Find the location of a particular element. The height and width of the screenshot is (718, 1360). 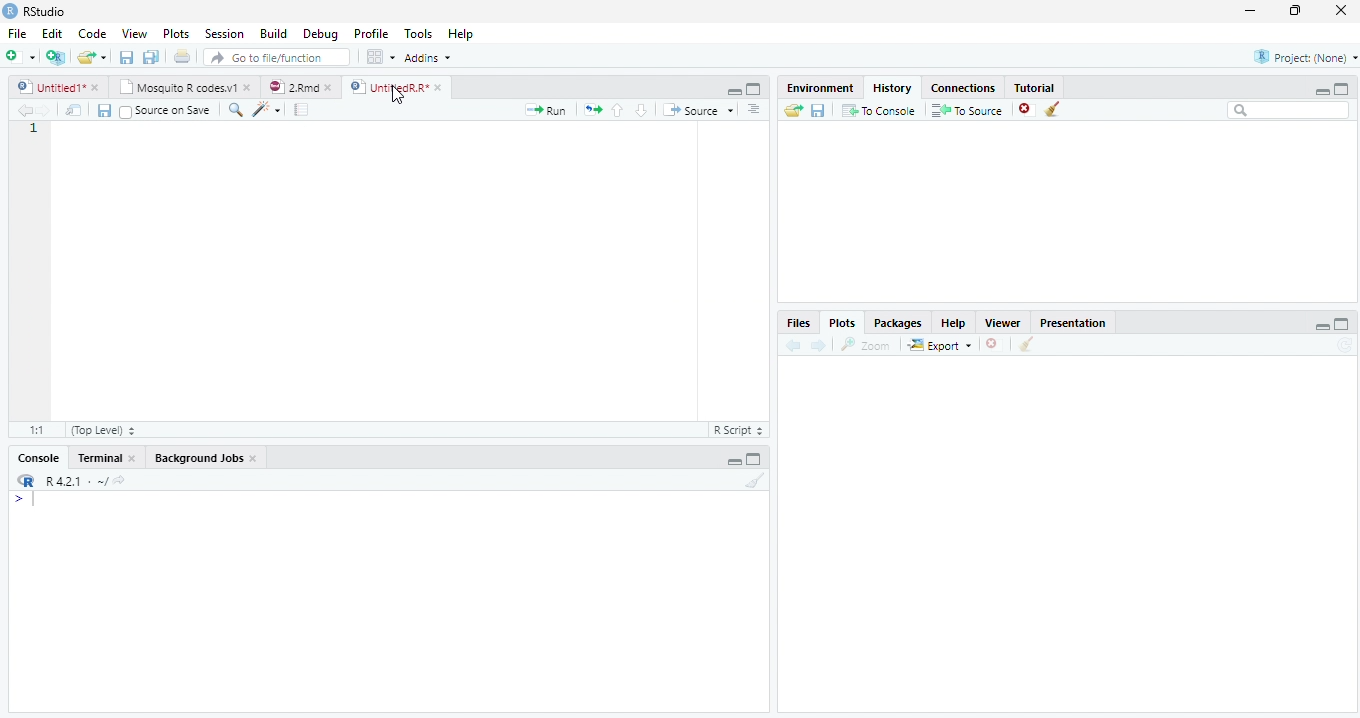

Minimize is located at coordinates (731, 90).